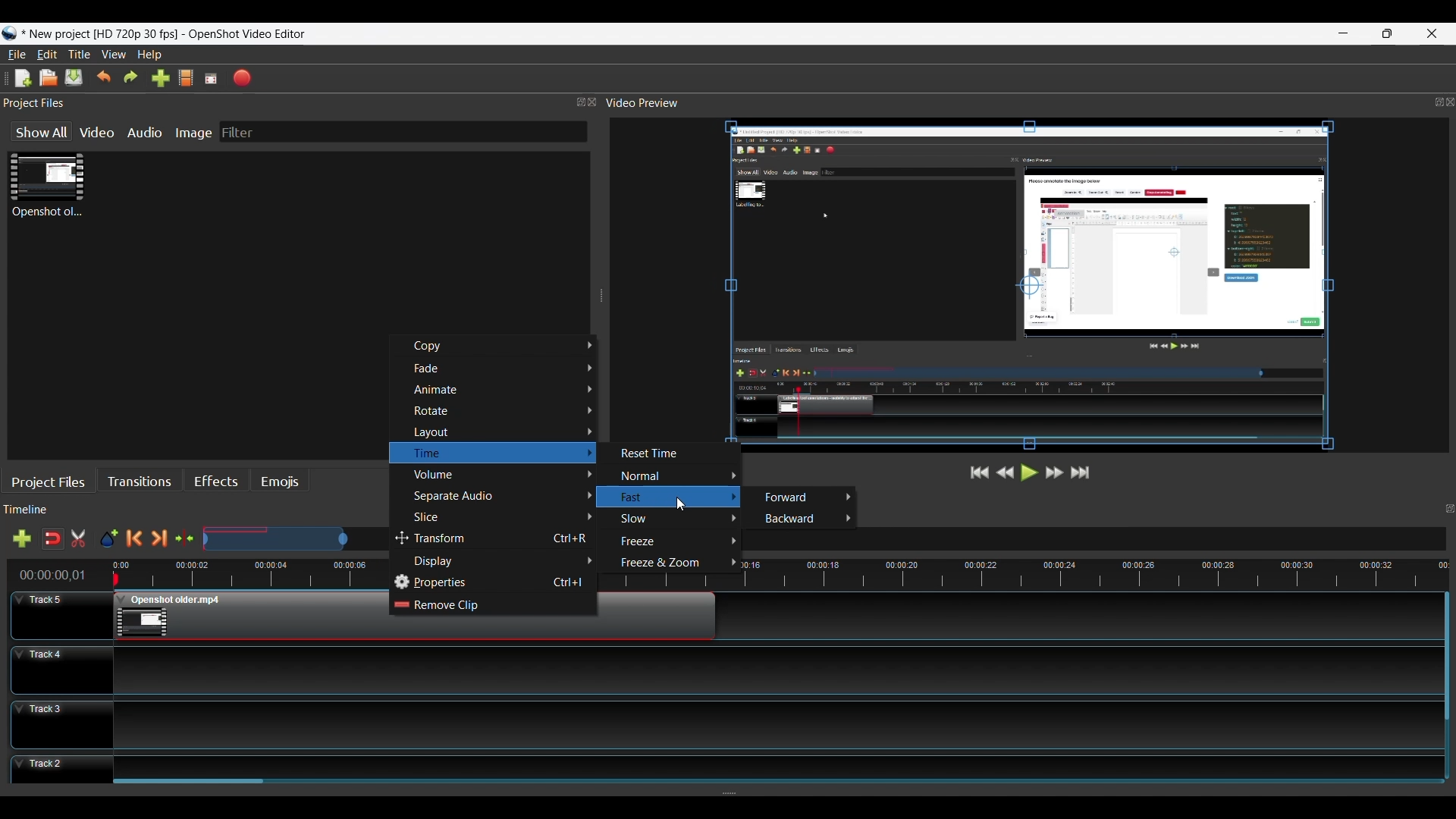 Image resolution: width=1456 pixels, height=819 pixels. Describe the element at coordinates (1389, 33) in the screenshot. I see `Restore` at that location.